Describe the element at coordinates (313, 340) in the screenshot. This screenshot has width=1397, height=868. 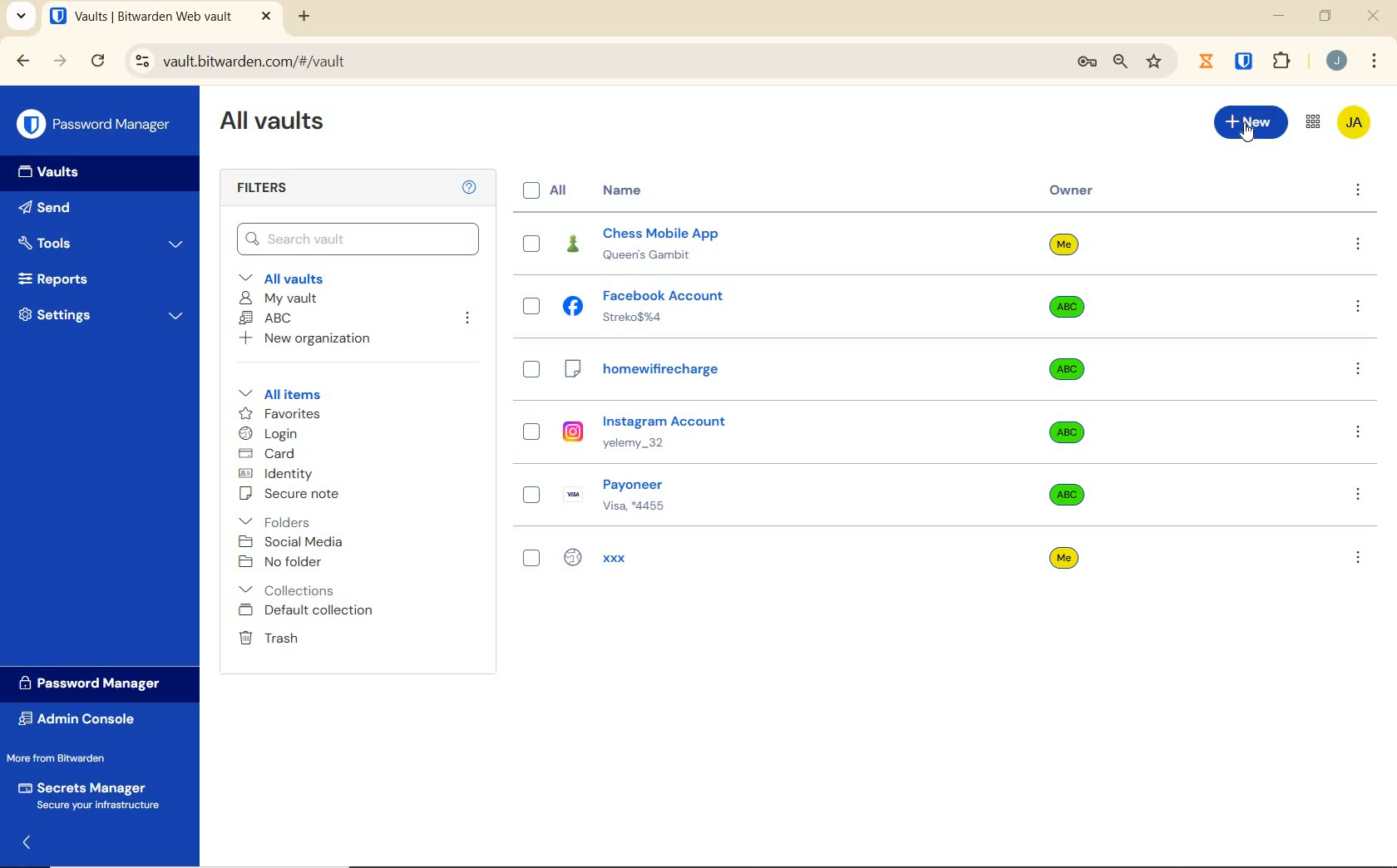
I see `New organization` at that location.